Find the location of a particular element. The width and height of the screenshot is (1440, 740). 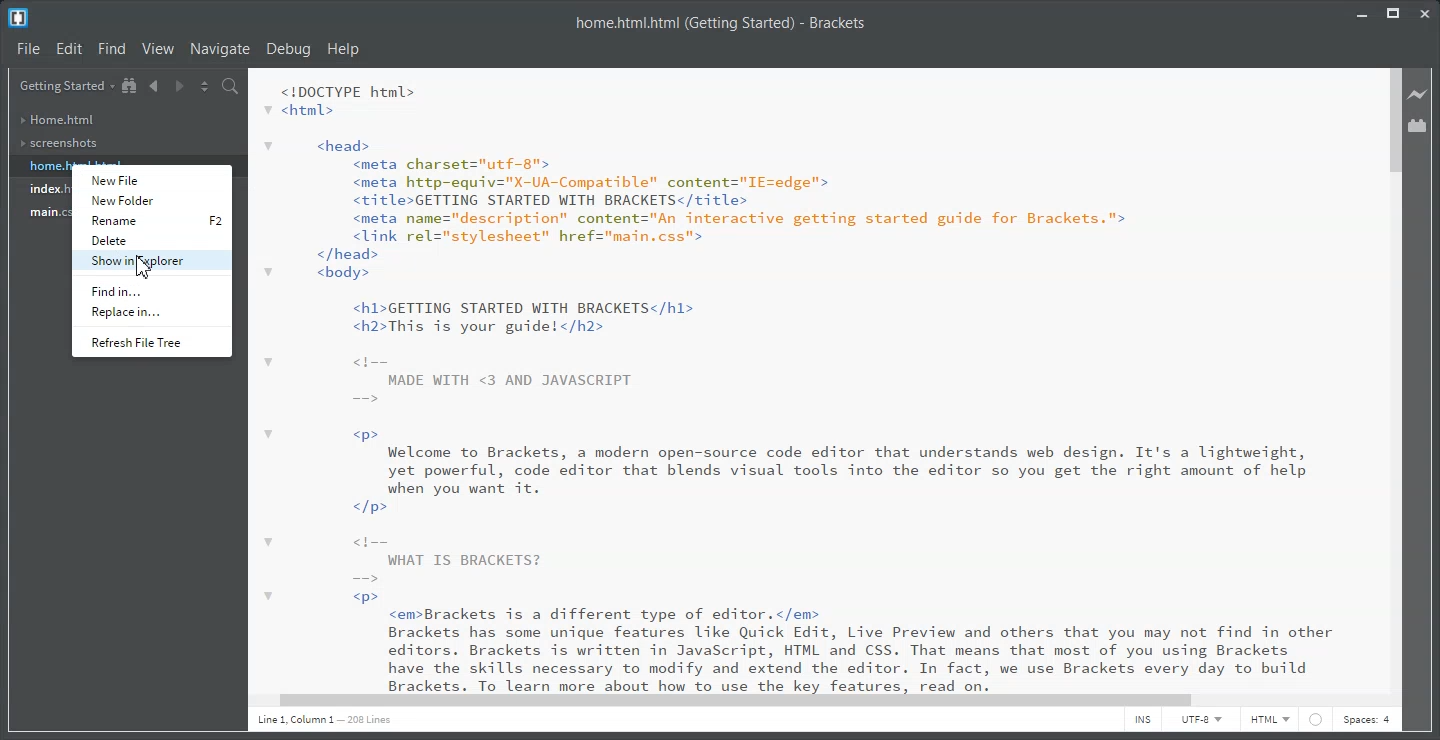

Navigate Forward is located at coordinates (178, 85).